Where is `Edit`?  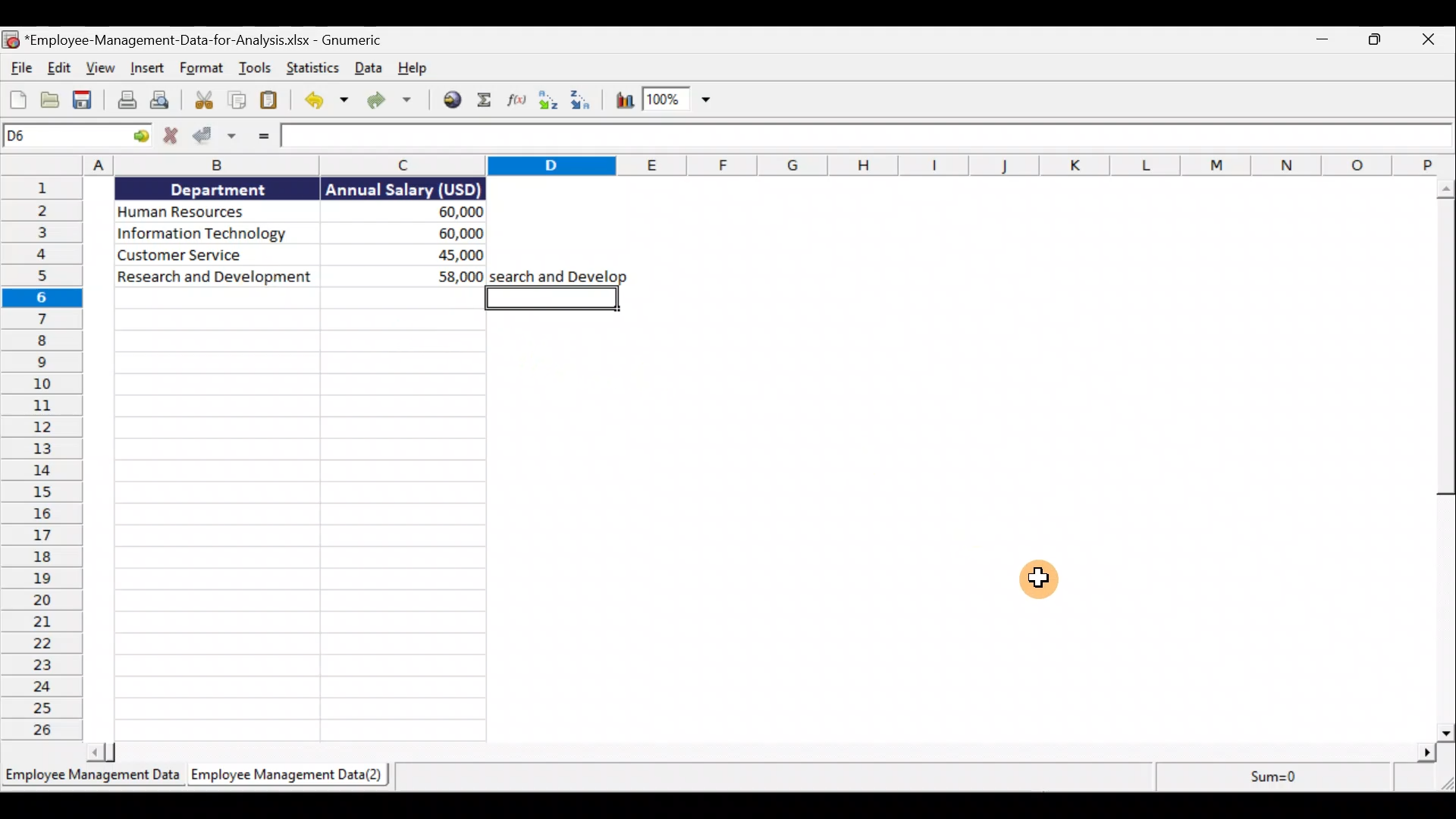
Edit is located at coordinates (61, 70).